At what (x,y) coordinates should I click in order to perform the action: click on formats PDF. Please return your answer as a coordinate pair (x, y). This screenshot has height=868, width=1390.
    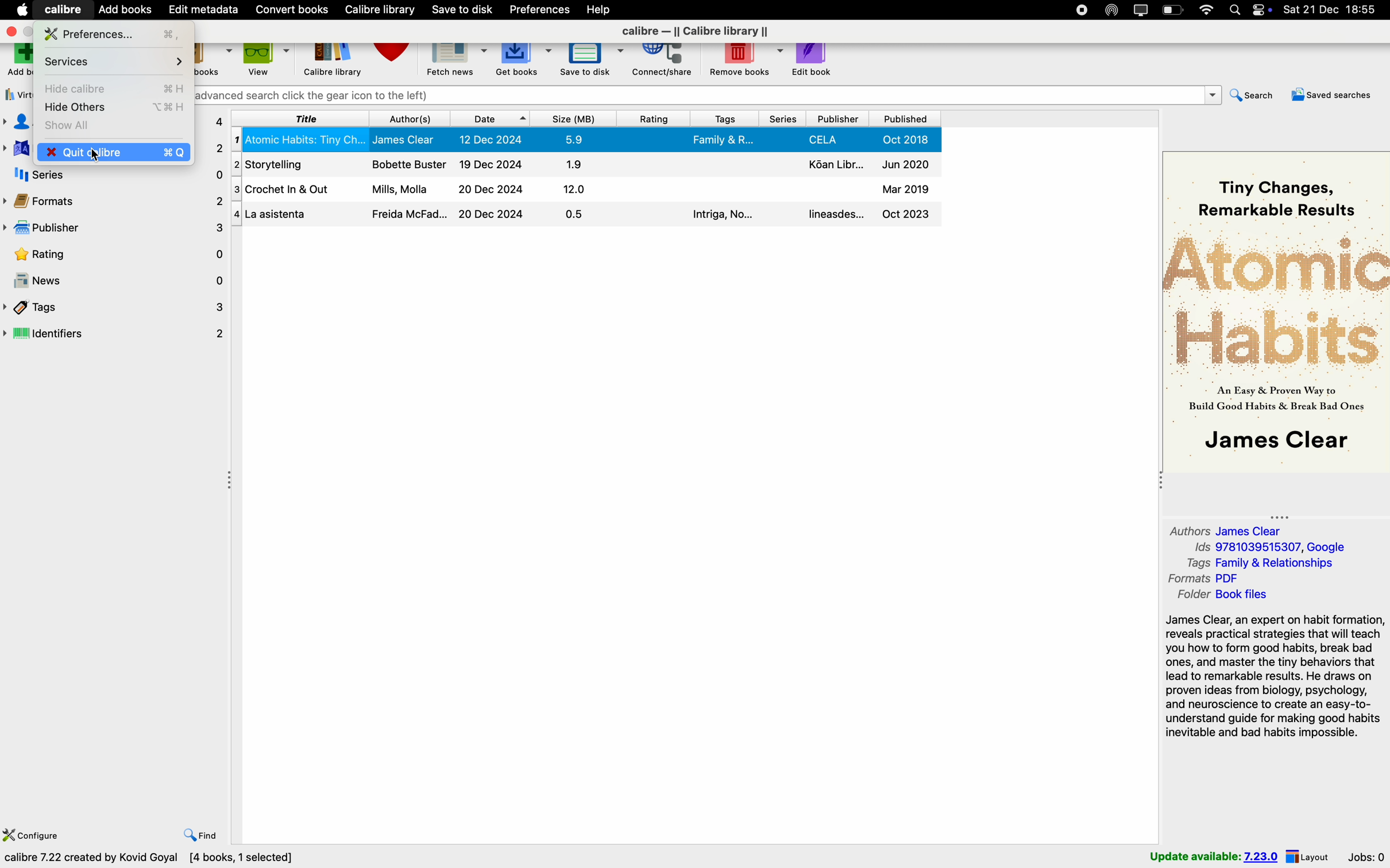
    Looking at the image, I should click on (1206, 580).